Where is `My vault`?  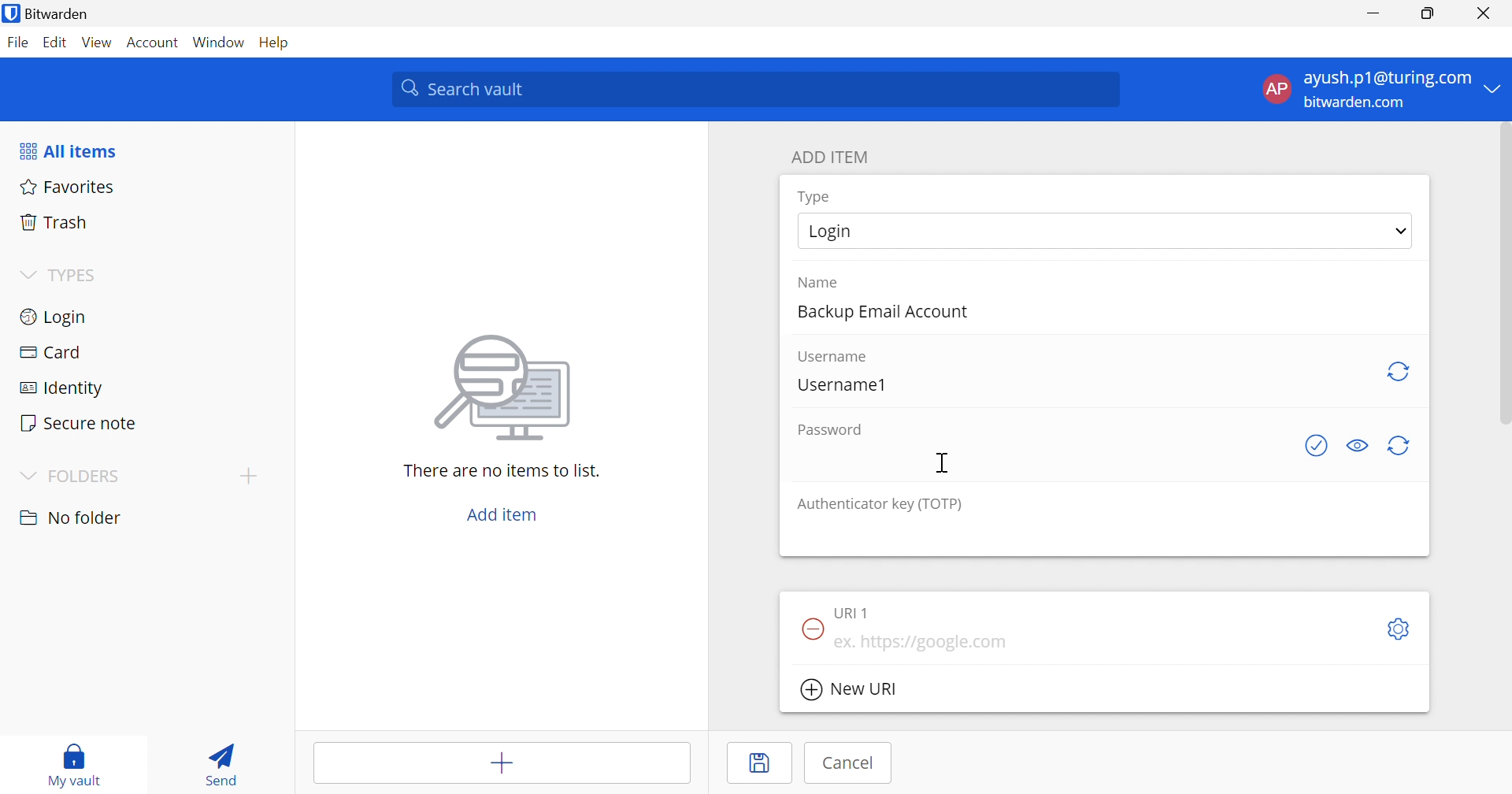
My vault is located at coordinates (74, 766).